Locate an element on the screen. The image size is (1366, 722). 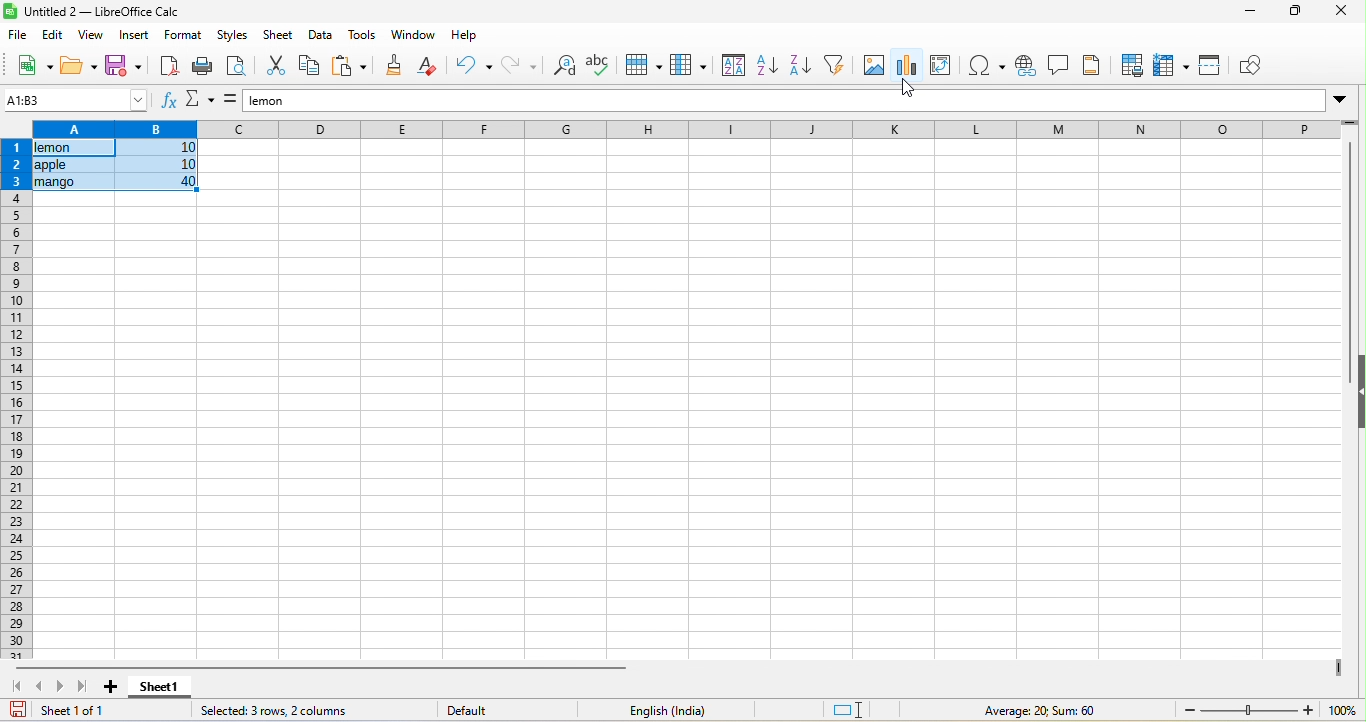
a1:b3 is located at coordinates (76, 100).